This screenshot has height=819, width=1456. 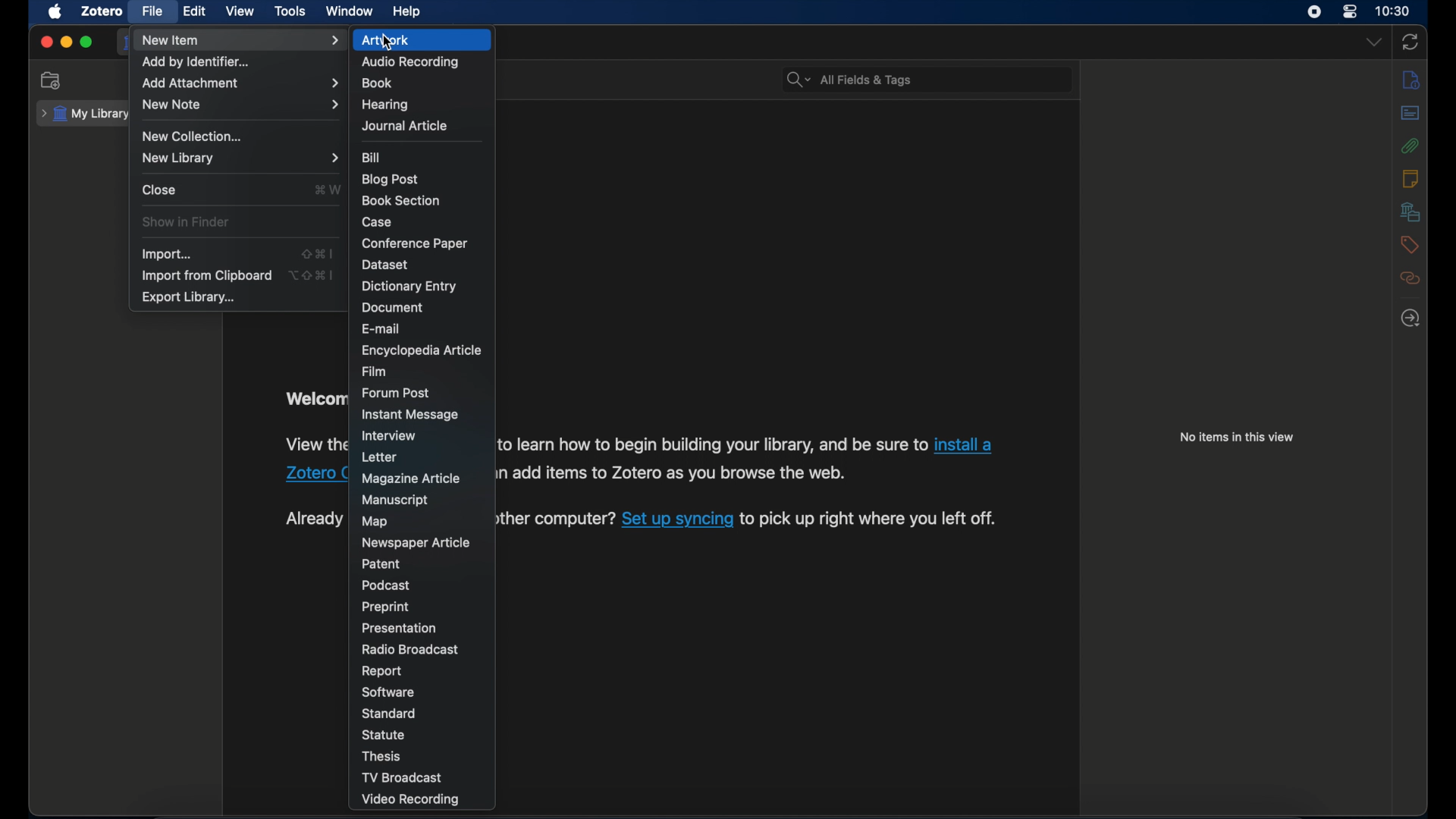 What do you see at coordinates (410, 799) in the screenshot?
I see `video recording` at bounding box center [410, 799].